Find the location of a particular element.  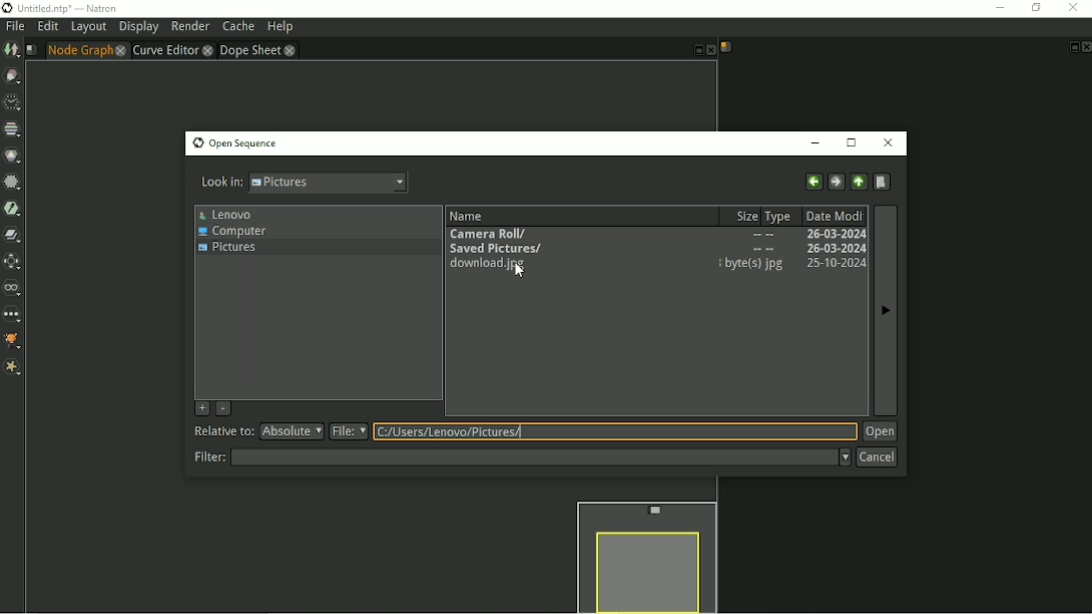

Render is located at coordinates (191, 26).